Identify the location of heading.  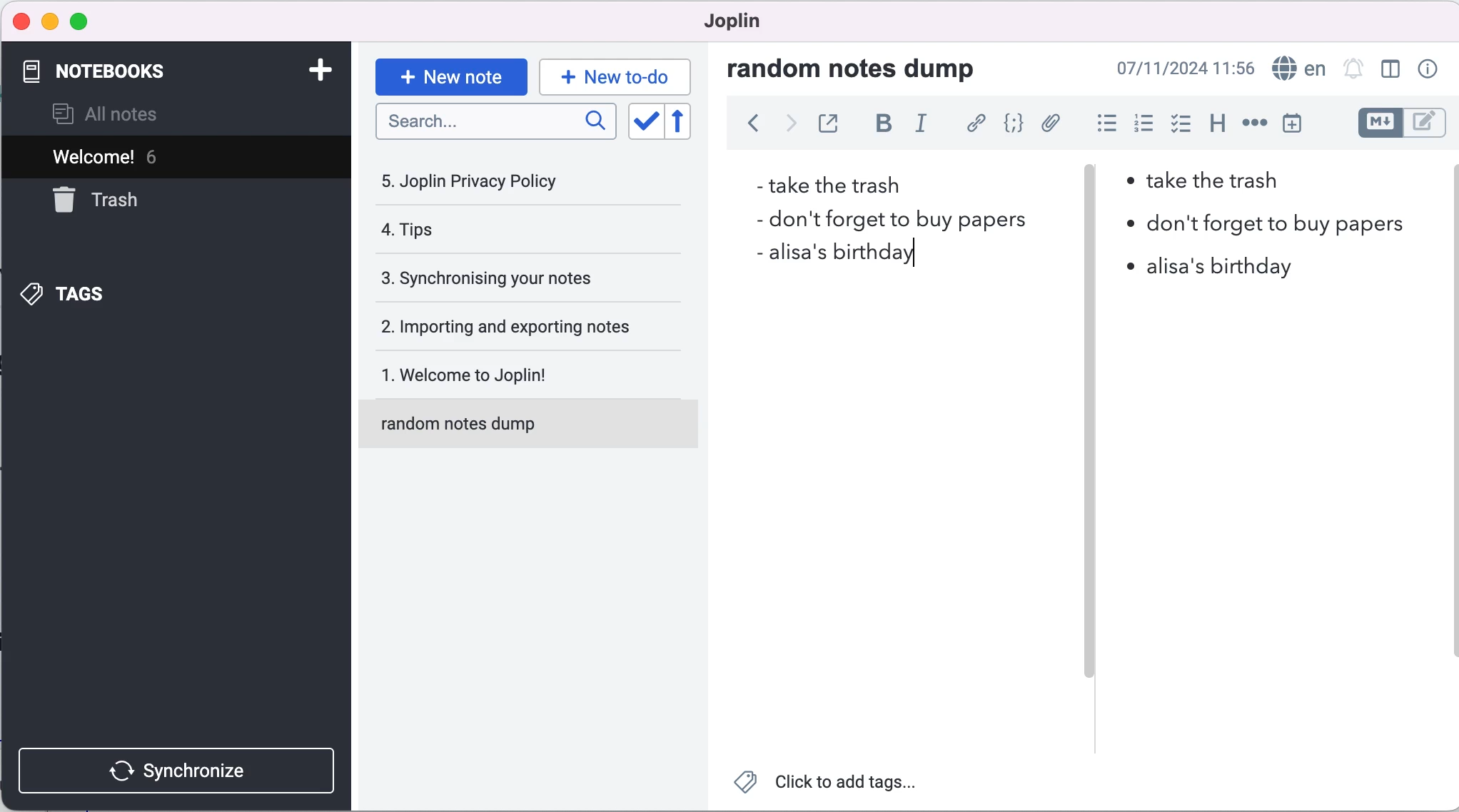
(1213, 125).